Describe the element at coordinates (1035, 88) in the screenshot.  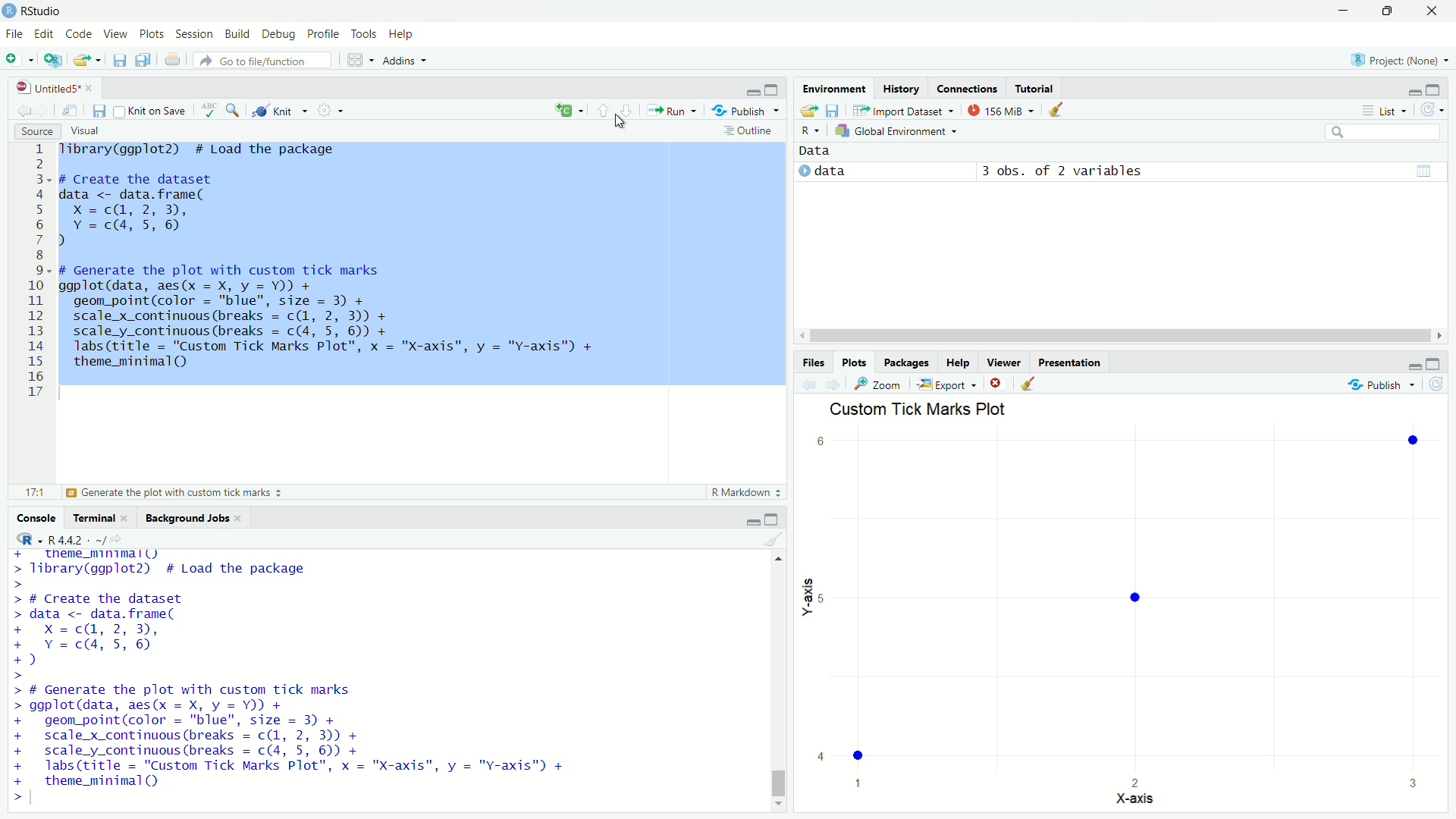
I see `tutorial` at that location.